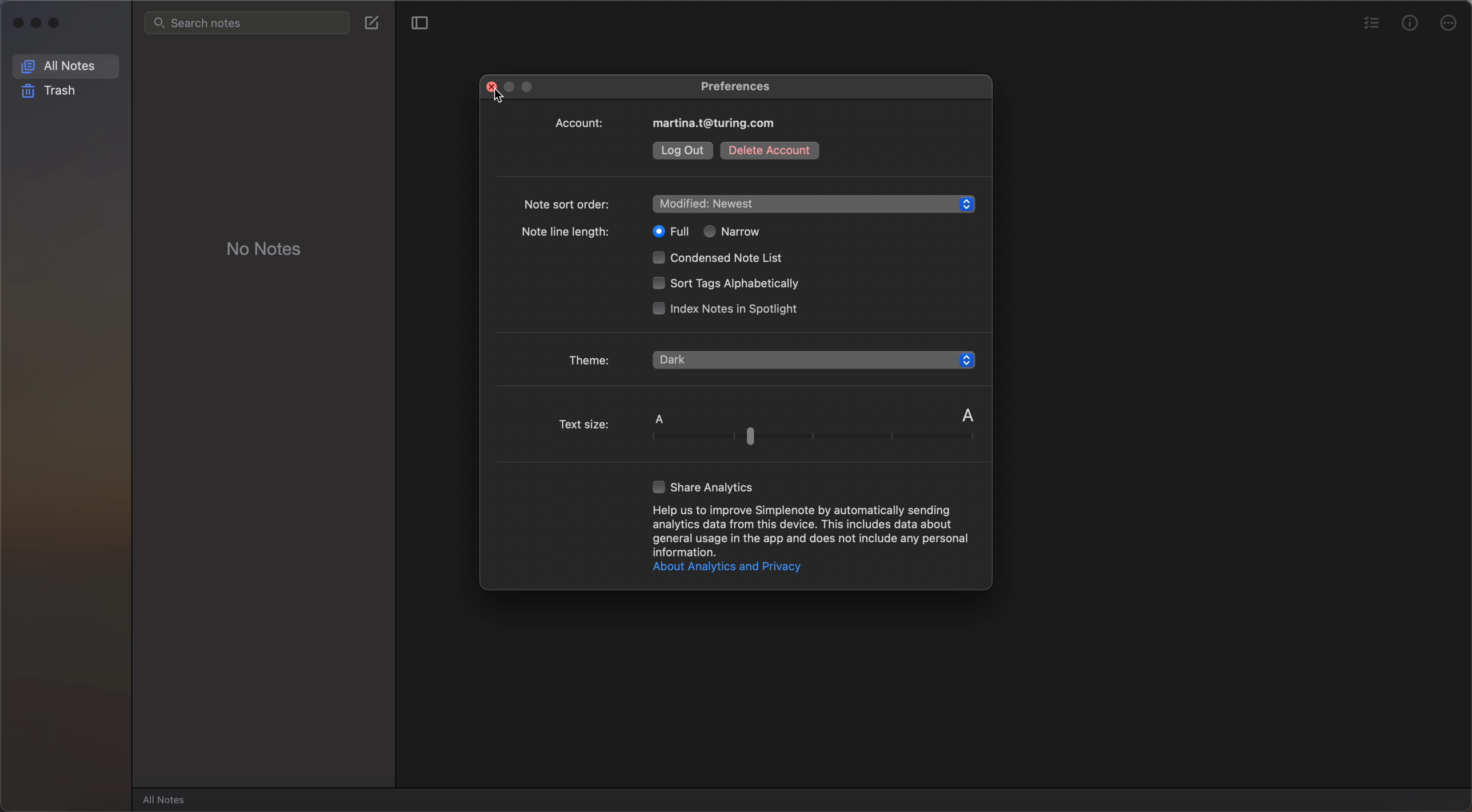  Describe the element at coordinates (491, 86) in the screenshot. I see `close popup` at that location.